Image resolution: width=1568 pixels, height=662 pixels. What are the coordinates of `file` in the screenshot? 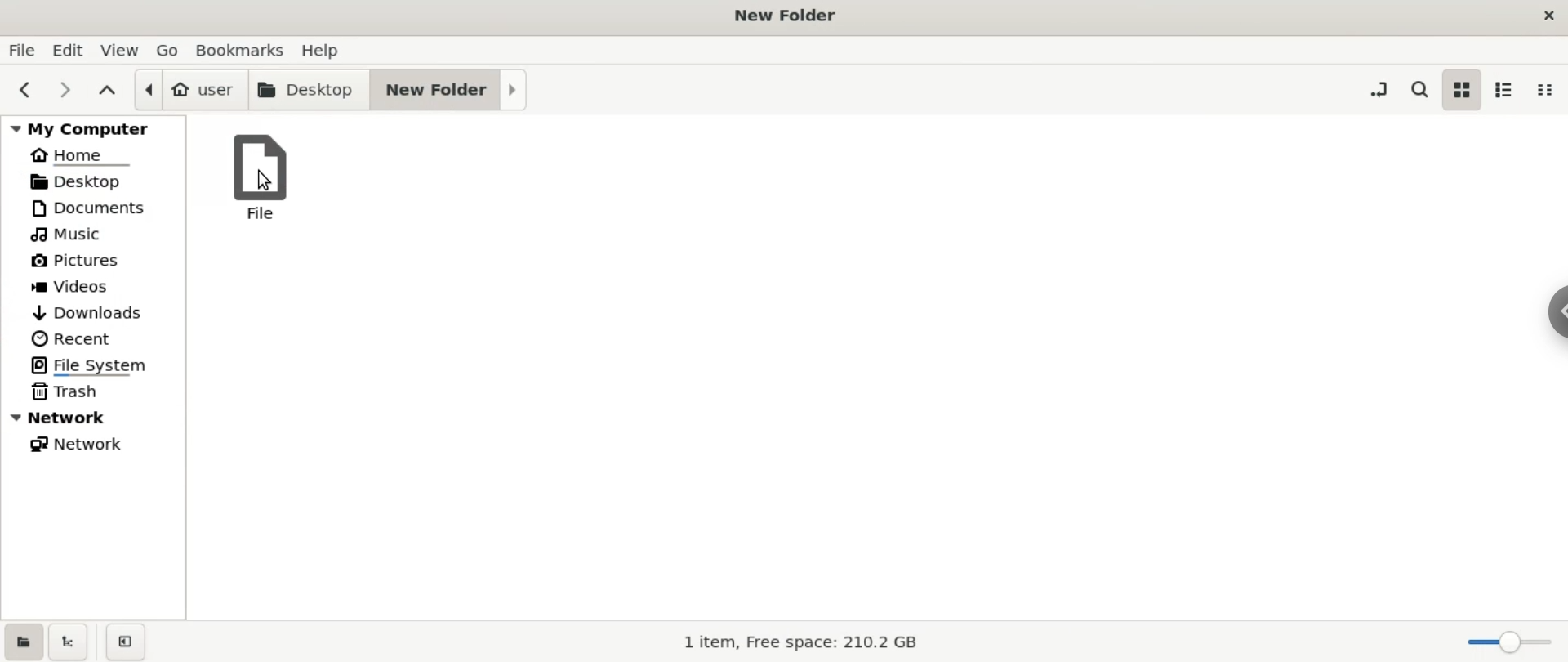 It's located at (21, 51).